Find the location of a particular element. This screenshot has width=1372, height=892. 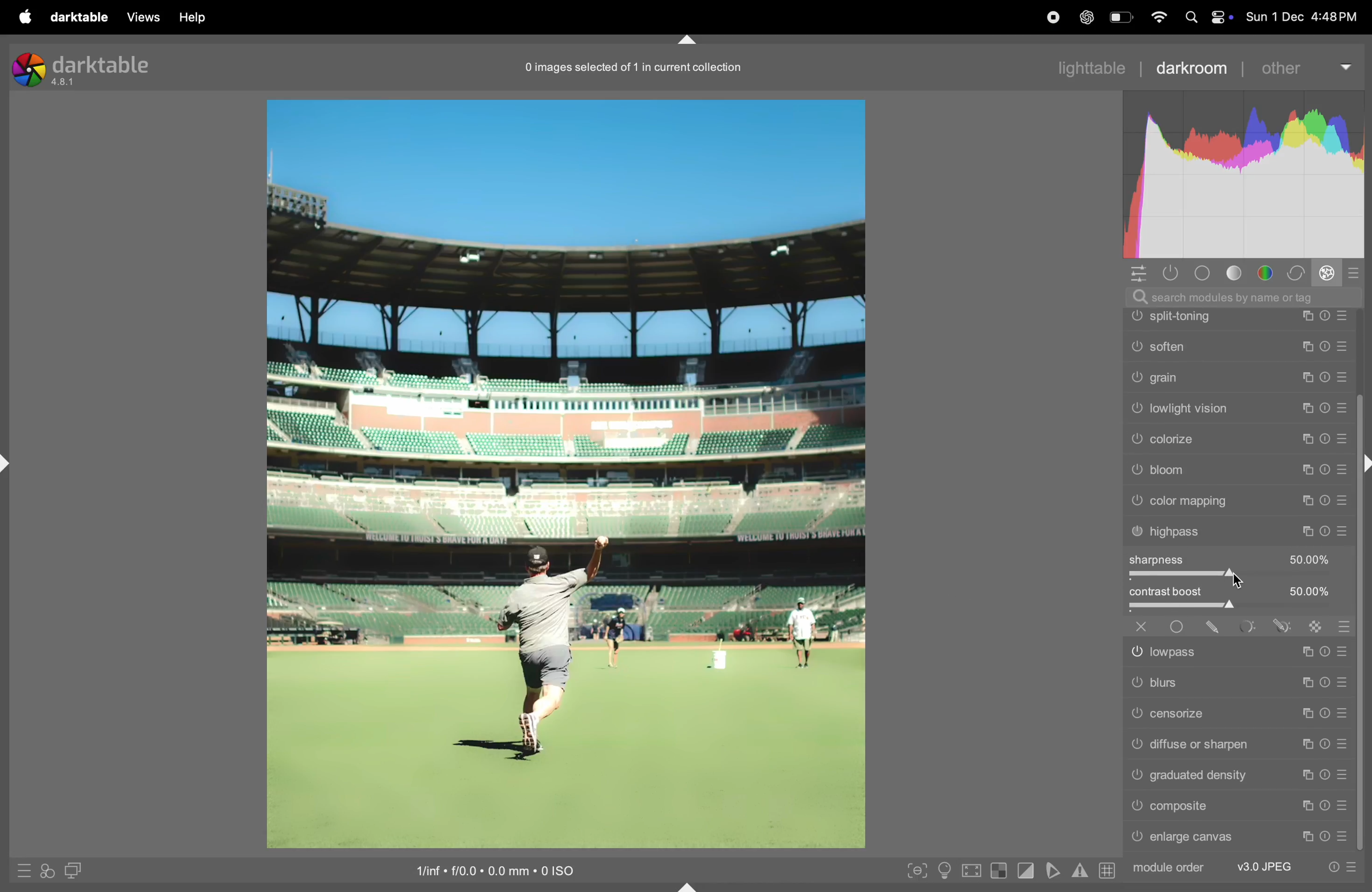

cencorize is located at coordinates (1237, 713).